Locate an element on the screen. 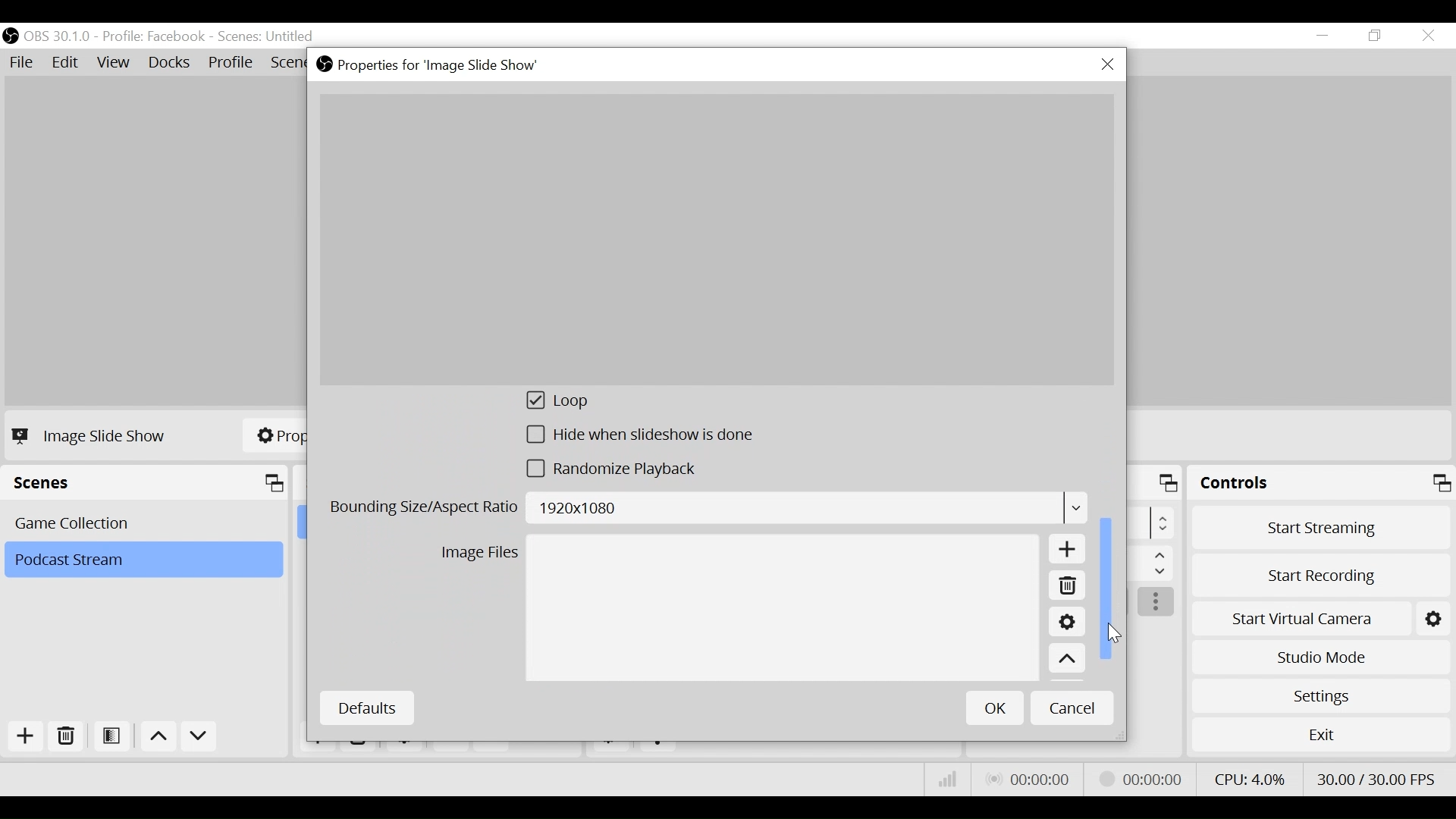 The image size is (1456, 819). Scene is located at coordinates (146, 522).